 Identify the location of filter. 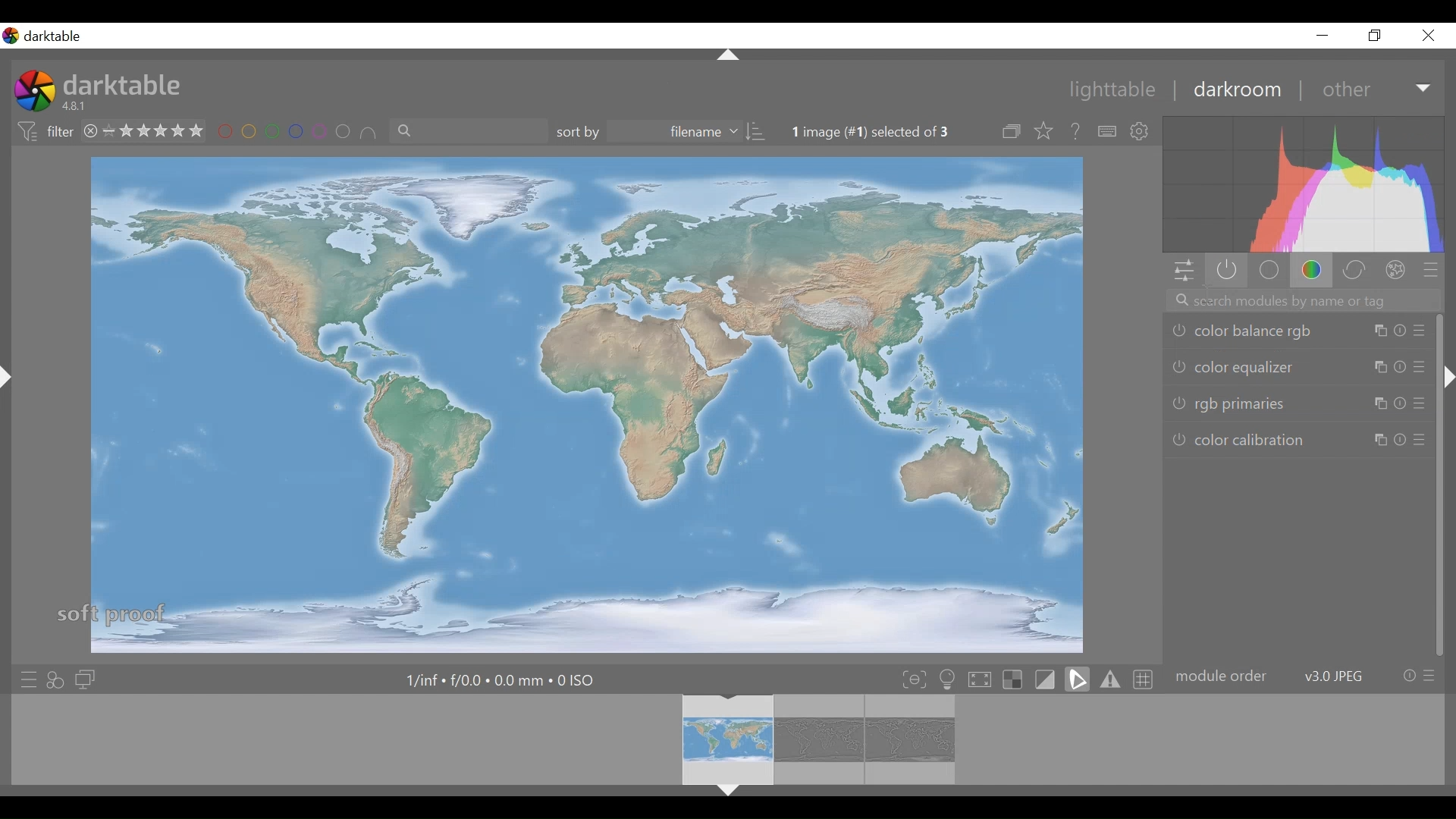
(42, 132).